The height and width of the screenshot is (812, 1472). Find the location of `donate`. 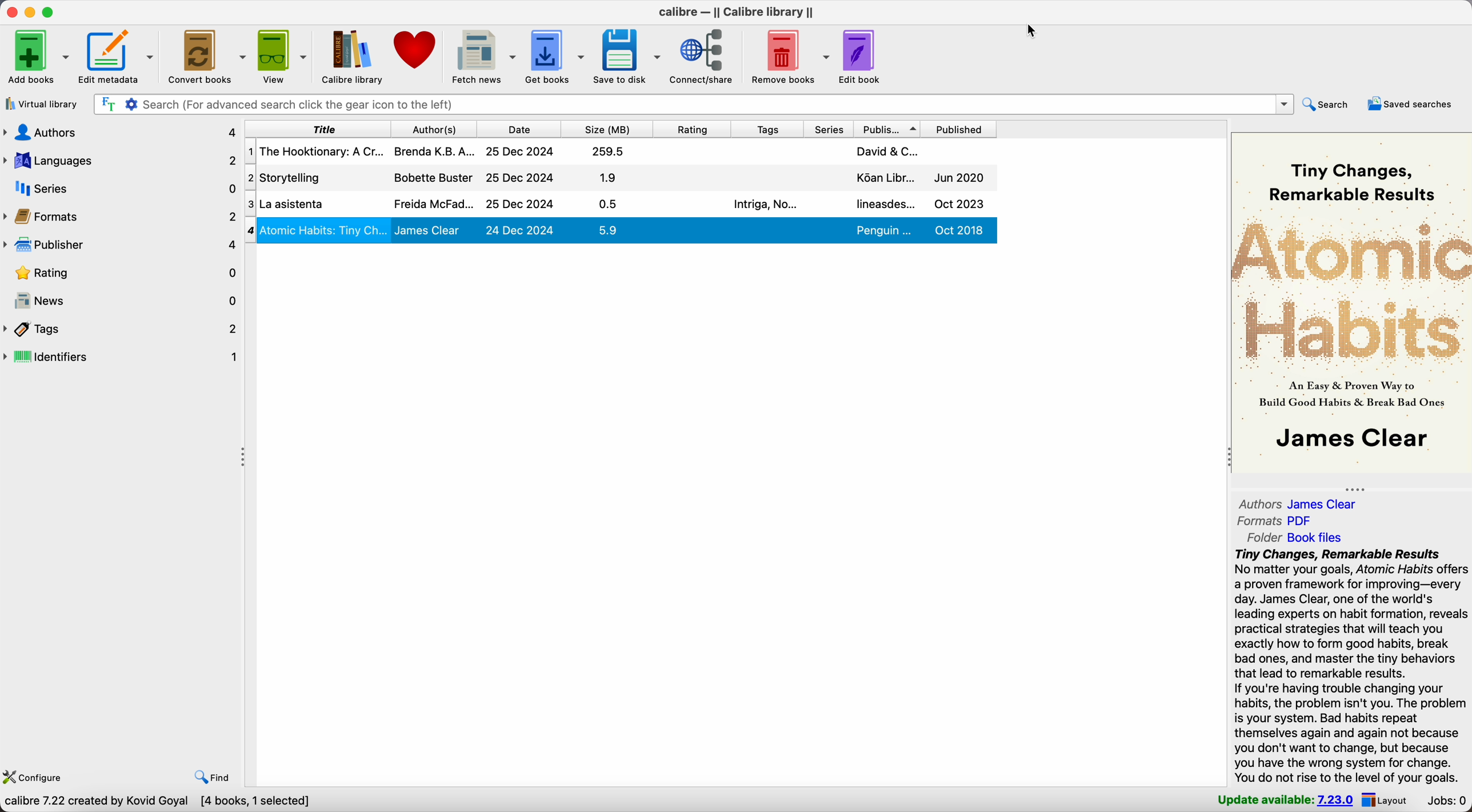

donate is located at coordinates (419, 51).